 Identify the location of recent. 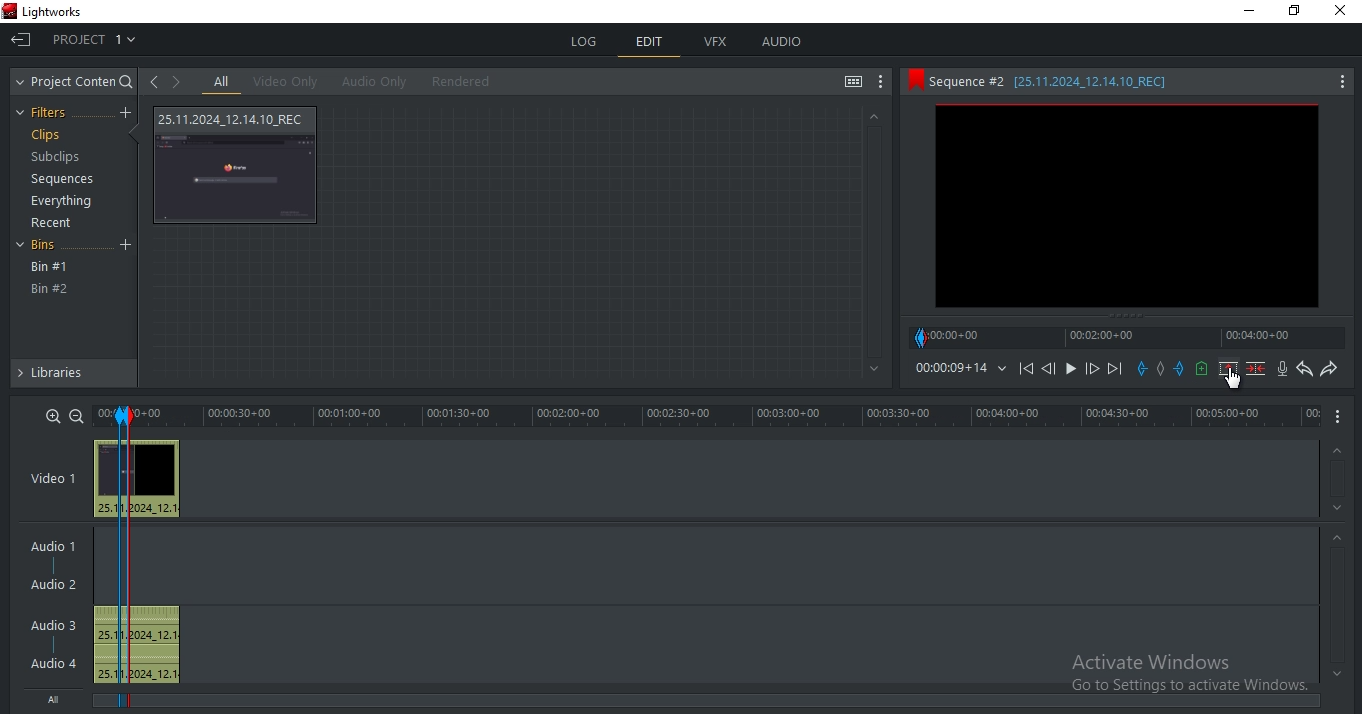
(54, 223).